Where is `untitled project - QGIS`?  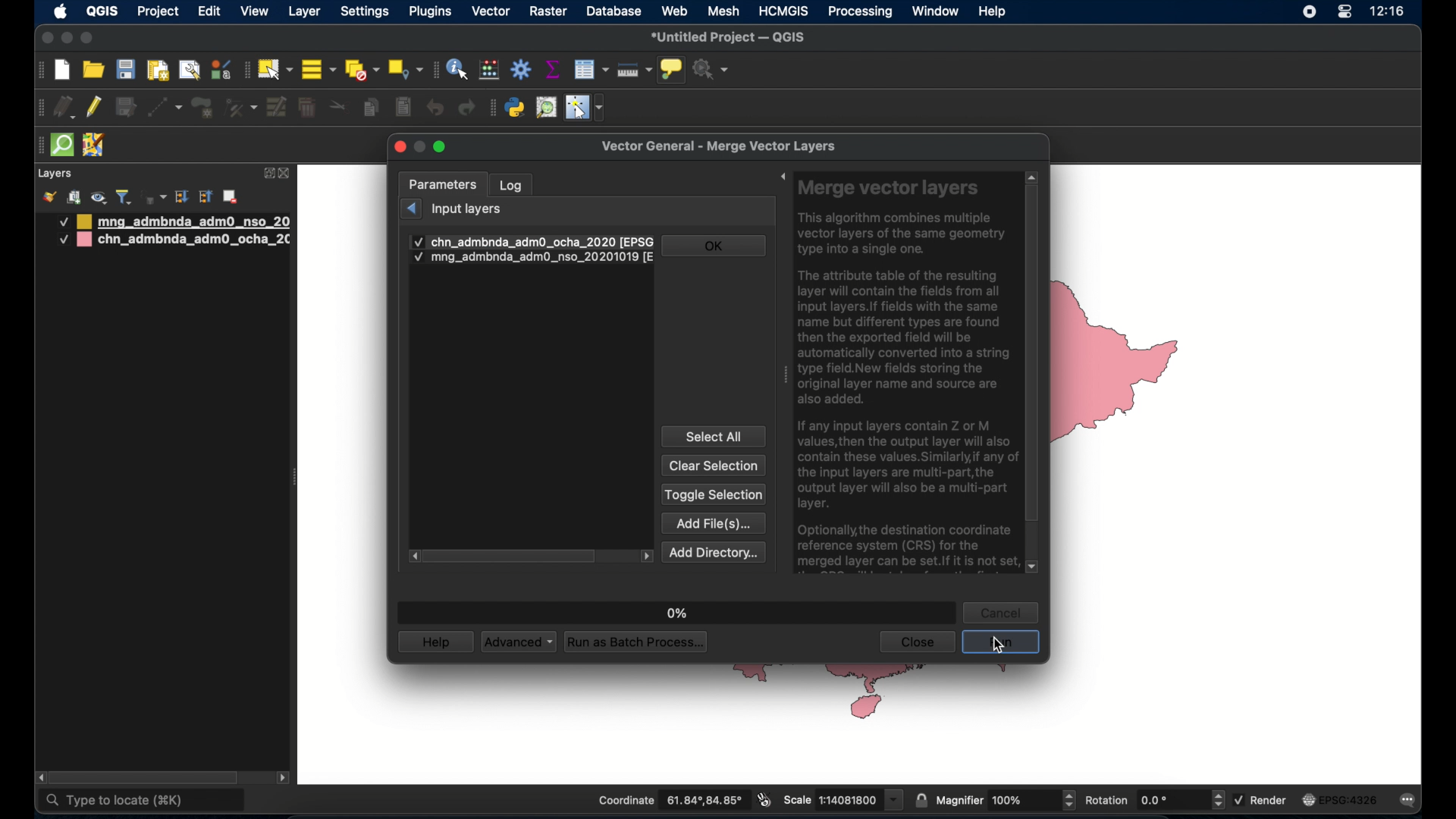 untitled project - QGIS is located at coordinates (730, 38).